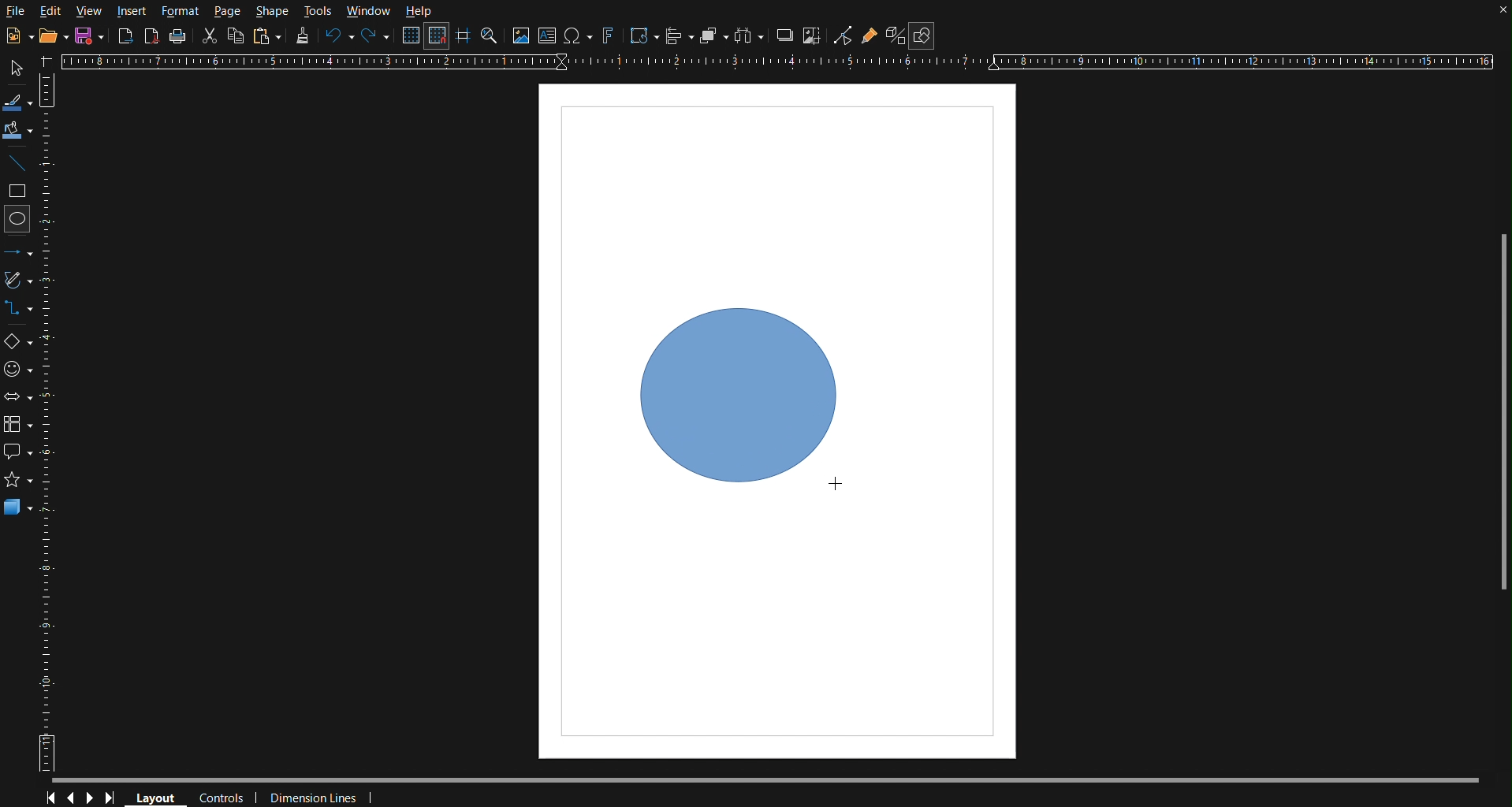  I want to click on View, so click(88, 11).